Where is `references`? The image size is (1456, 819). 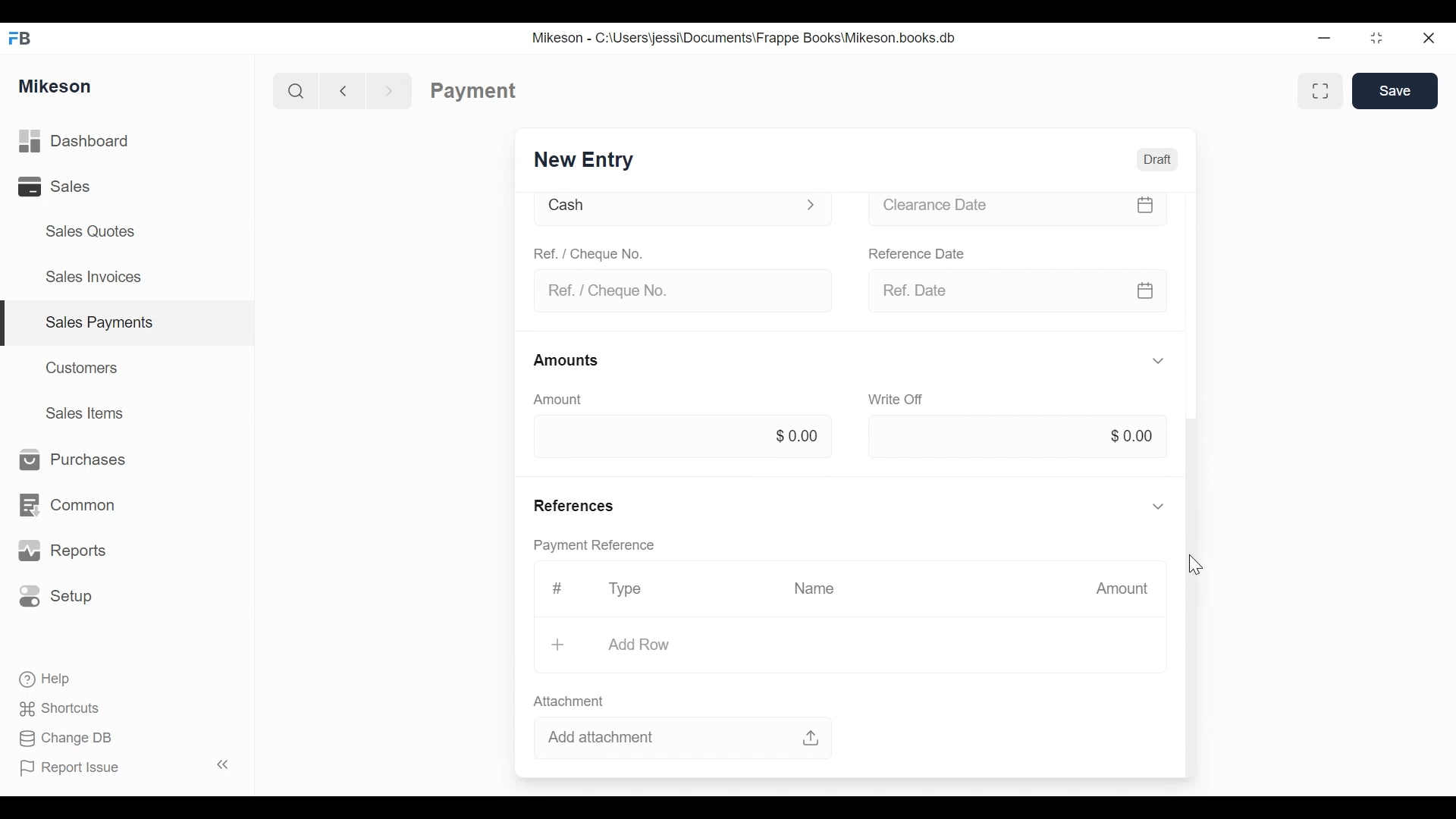 references is located at coordinates (573, 503).